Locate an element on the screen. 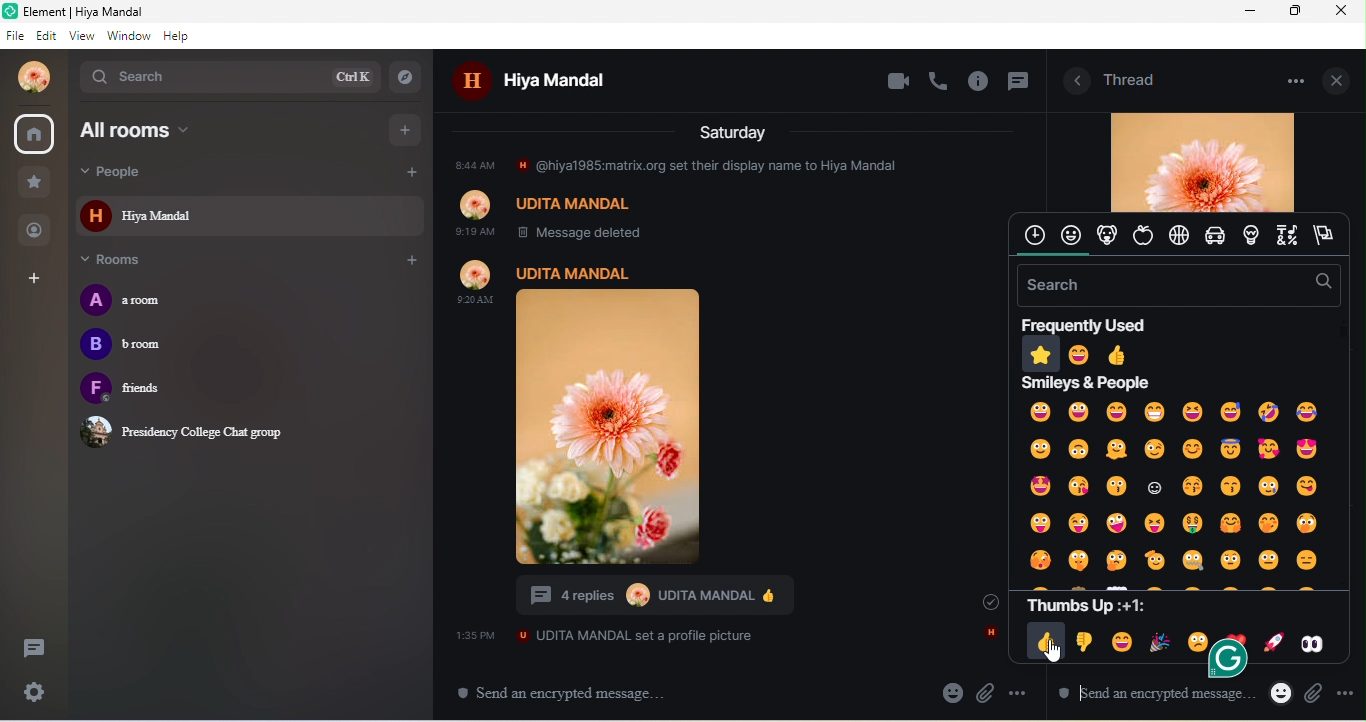 The width and height of the screenshot is (1366, 722). b room is located at coordinates (129, 347).